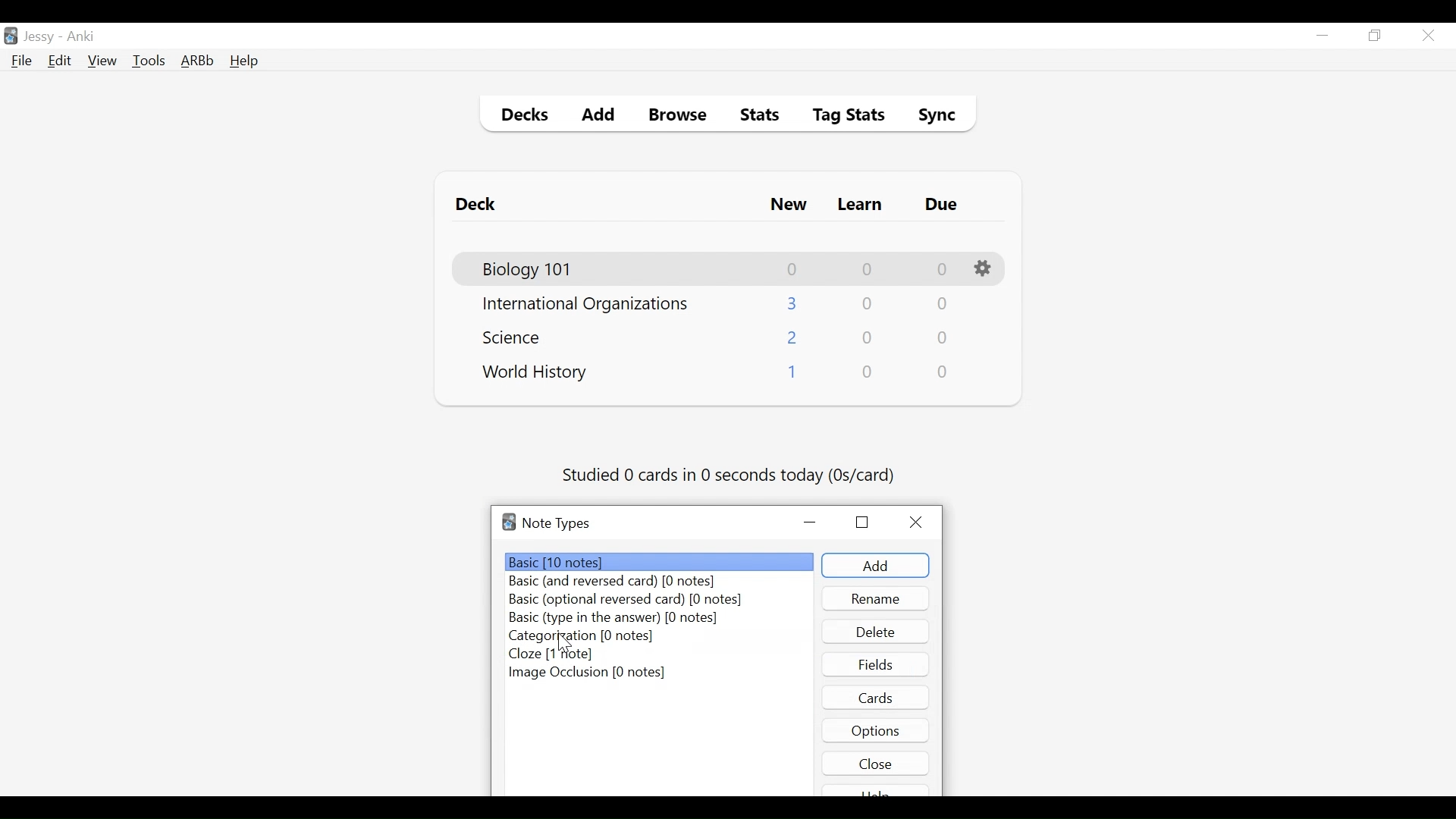  What do you see at coordinates (585, 305) in the screenshot?
I see `Deck Name` at bounding box center [585, 305].